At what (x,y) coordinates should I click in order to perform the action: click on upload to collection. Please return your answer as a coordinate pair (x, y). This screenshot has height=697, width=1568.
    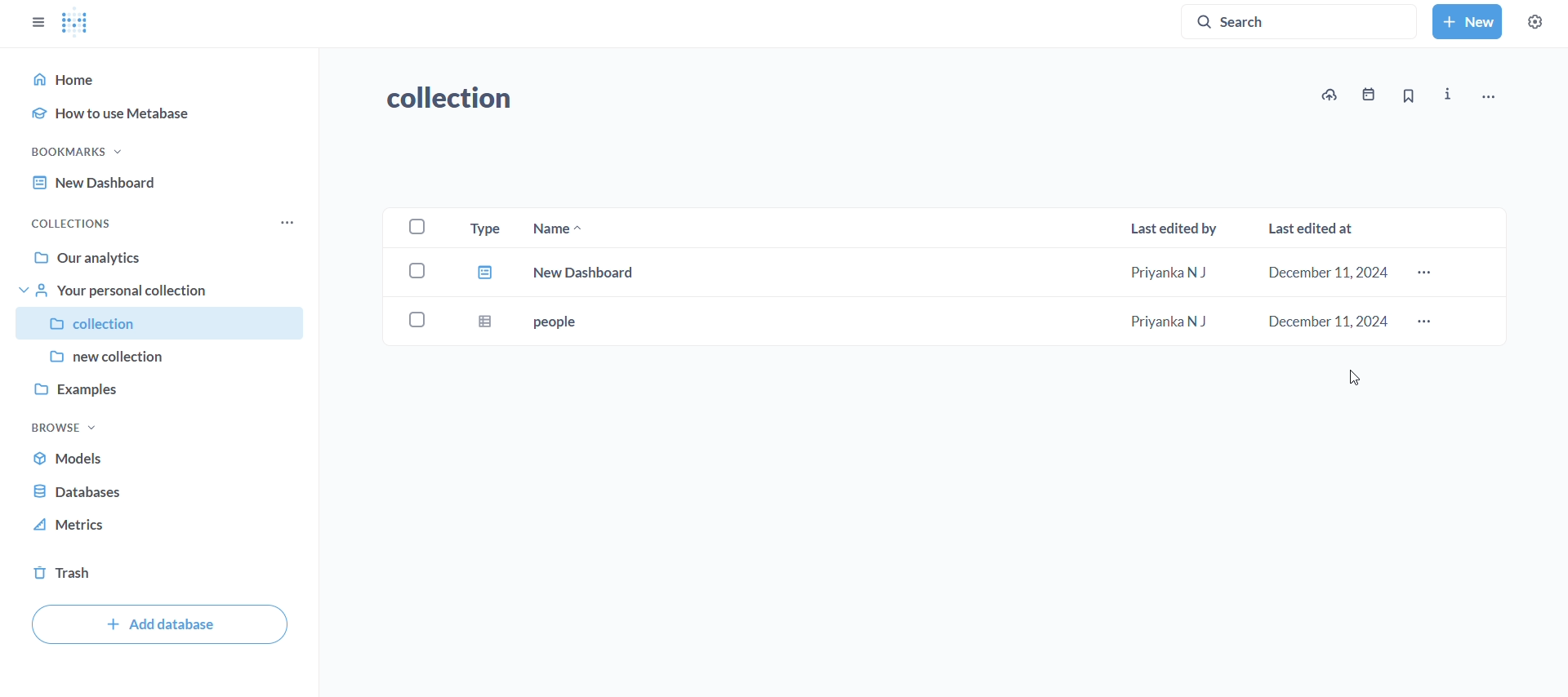
    Looking at the image, I should click on (1330, 95).